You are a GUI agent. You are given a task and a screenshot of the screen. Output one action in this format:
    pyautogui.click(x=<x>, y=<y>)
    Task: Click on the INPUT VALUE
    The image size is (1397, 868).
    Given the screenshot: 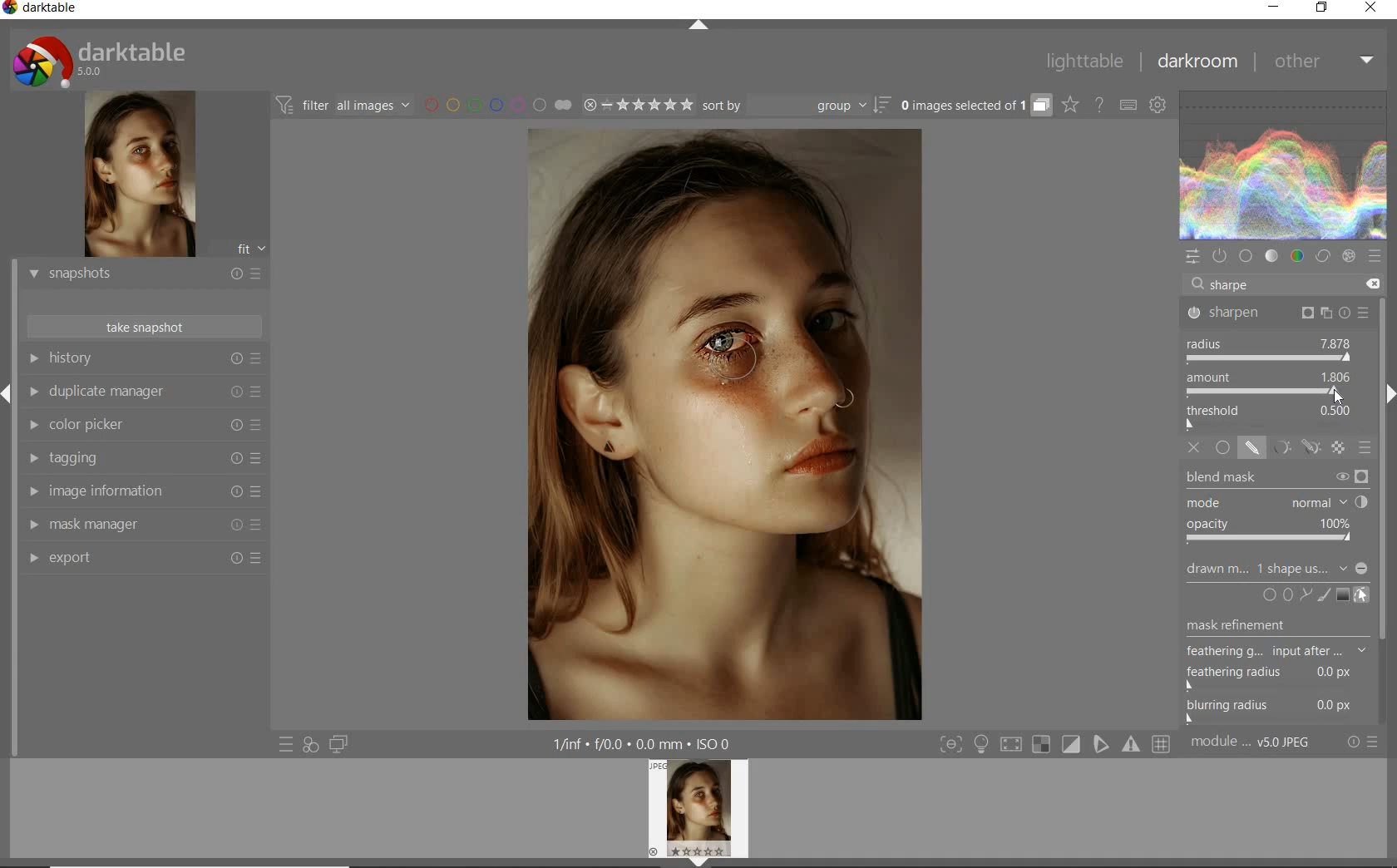 What is the action you would take?
    pyautogui.click(x=1230, y=284)
    